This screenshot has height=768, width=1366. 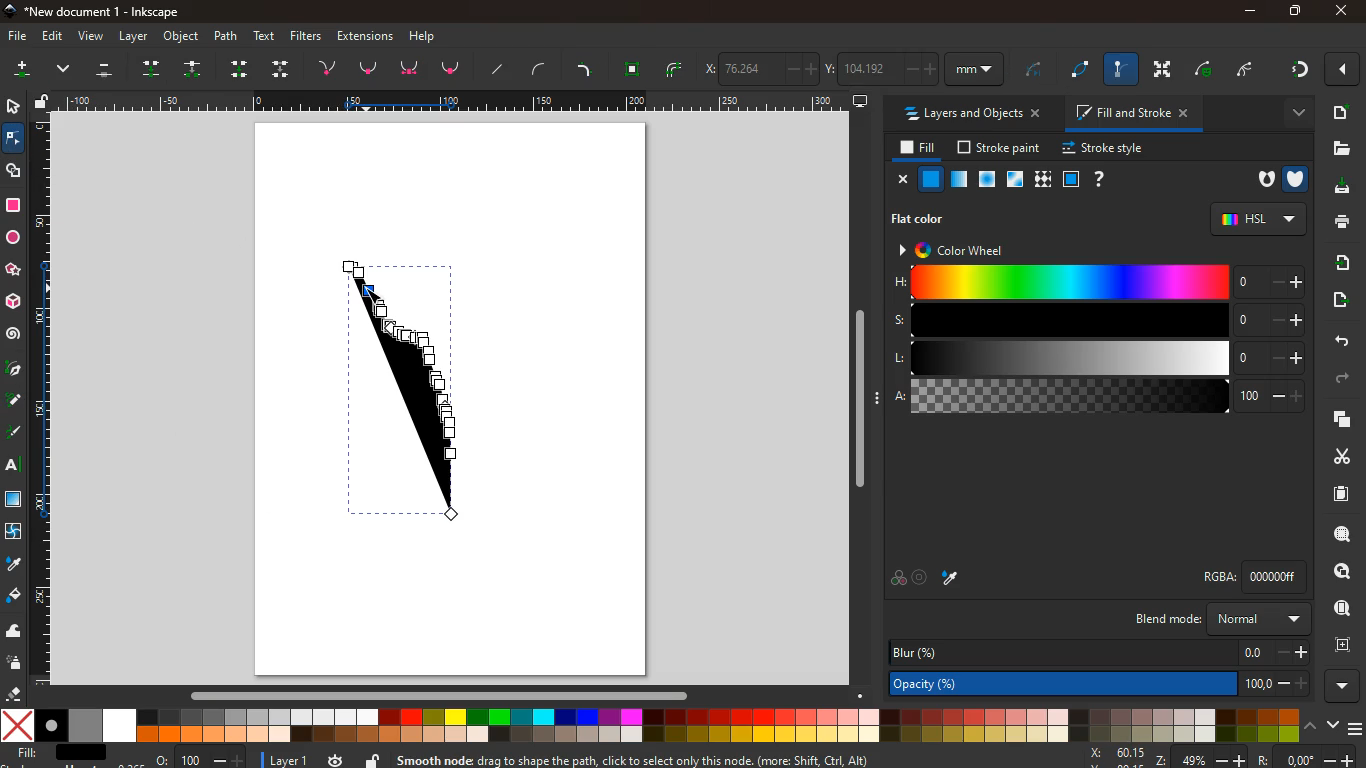 What do you see at coordinates (1339, 189) in the screenshot?
I see `download` at bounding box center [1339, 189].